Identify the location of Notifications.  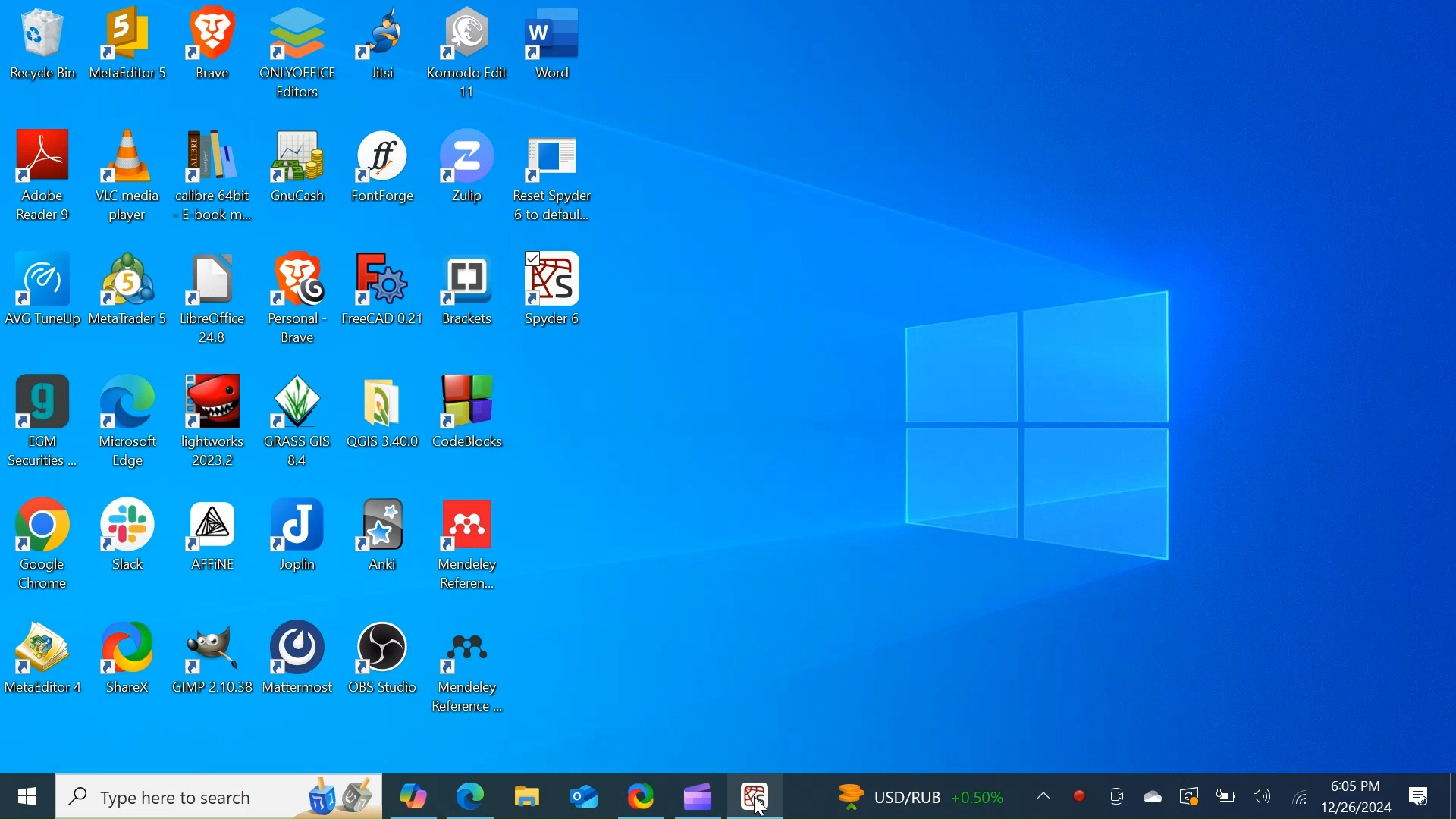
(1421, 794).